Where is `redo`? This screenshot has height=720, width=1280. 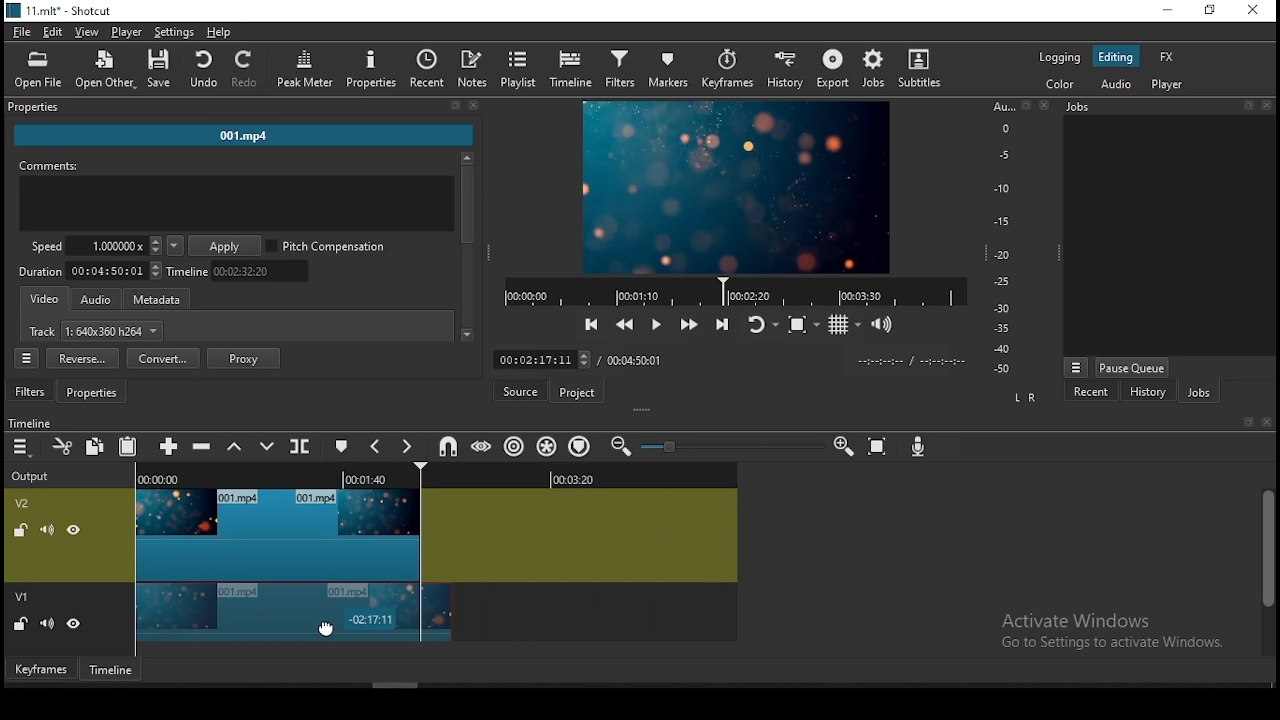
redo is located at coordinates (247, 70).